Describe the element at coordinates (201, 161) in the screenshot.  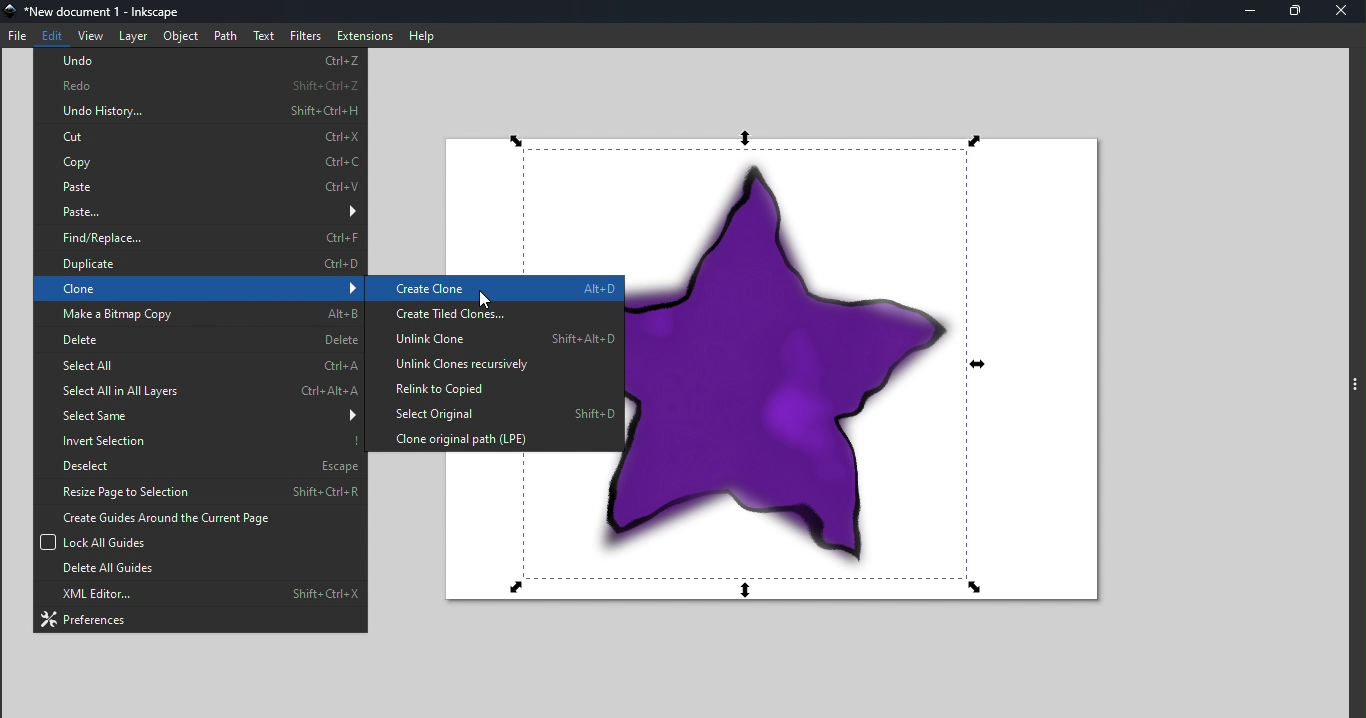
I see `copy` at that location.